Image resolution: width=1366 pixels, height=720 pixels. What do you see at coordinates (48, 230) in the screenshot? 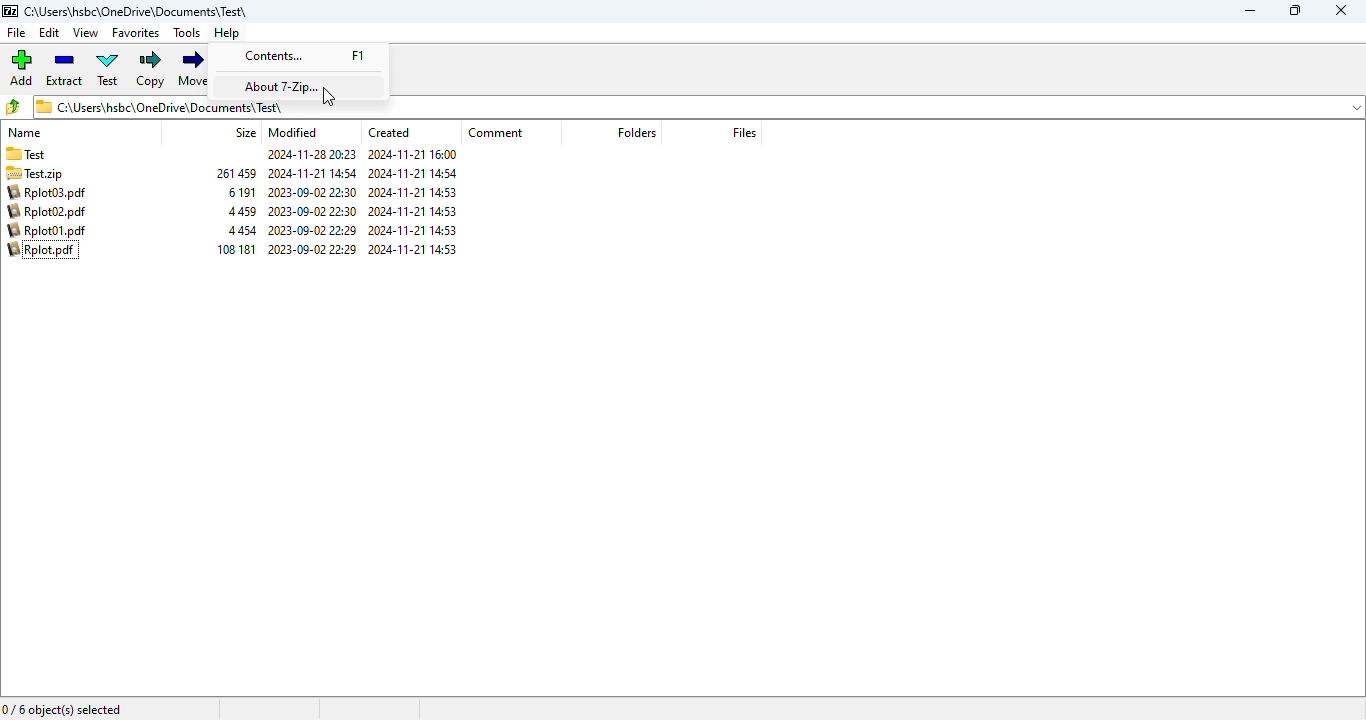
I see `Rplot01.pdf ` at bounding box center [48, 230].